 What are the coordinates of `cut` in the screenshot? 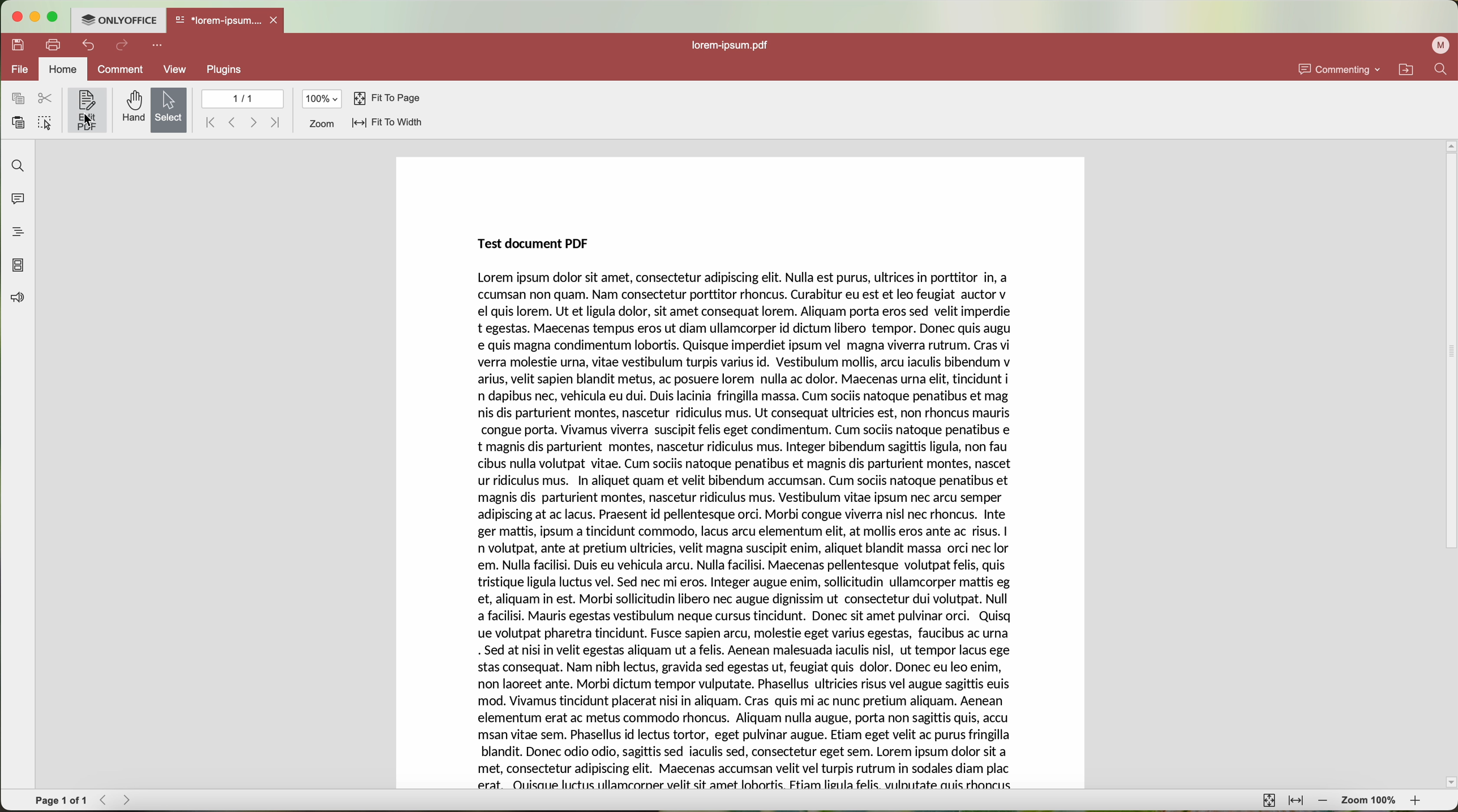 It's located at (44, 97).